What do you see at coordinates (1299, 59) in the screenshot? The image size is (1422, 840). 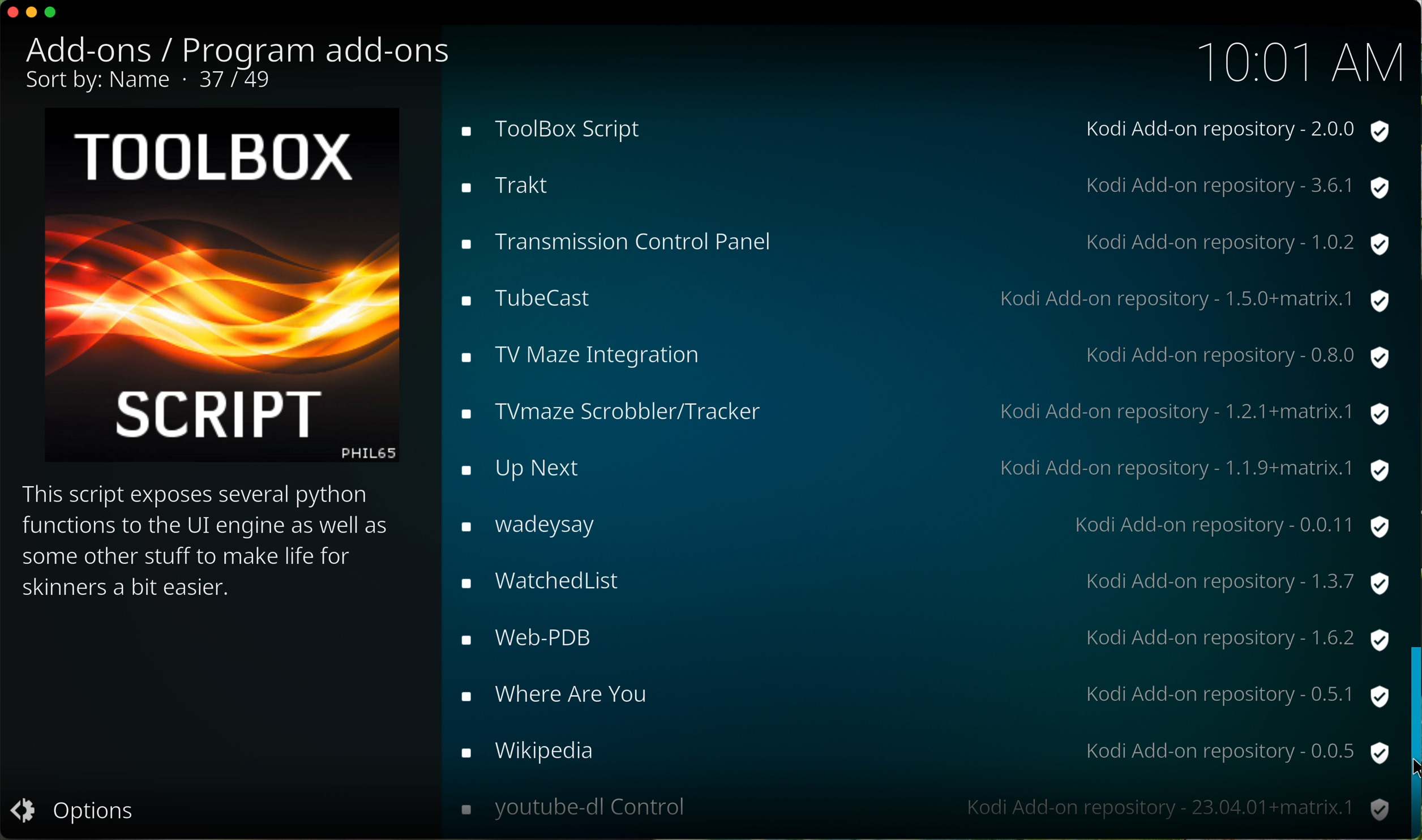 I see `10:01 AM` at bounding box center [1299, 59].